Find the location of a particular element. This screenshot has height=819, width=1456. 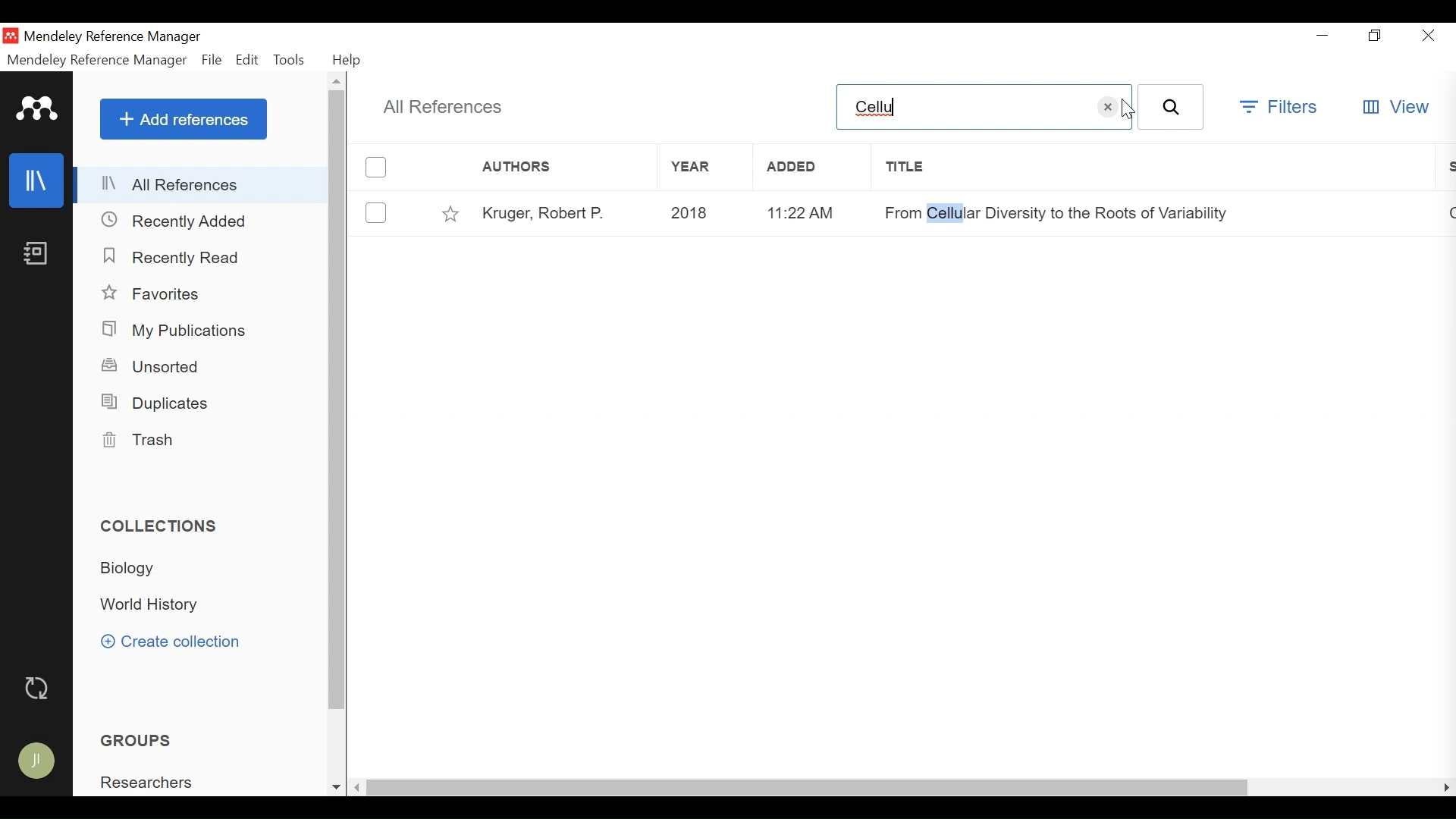

cursor is located at coordinates (1130, 108).